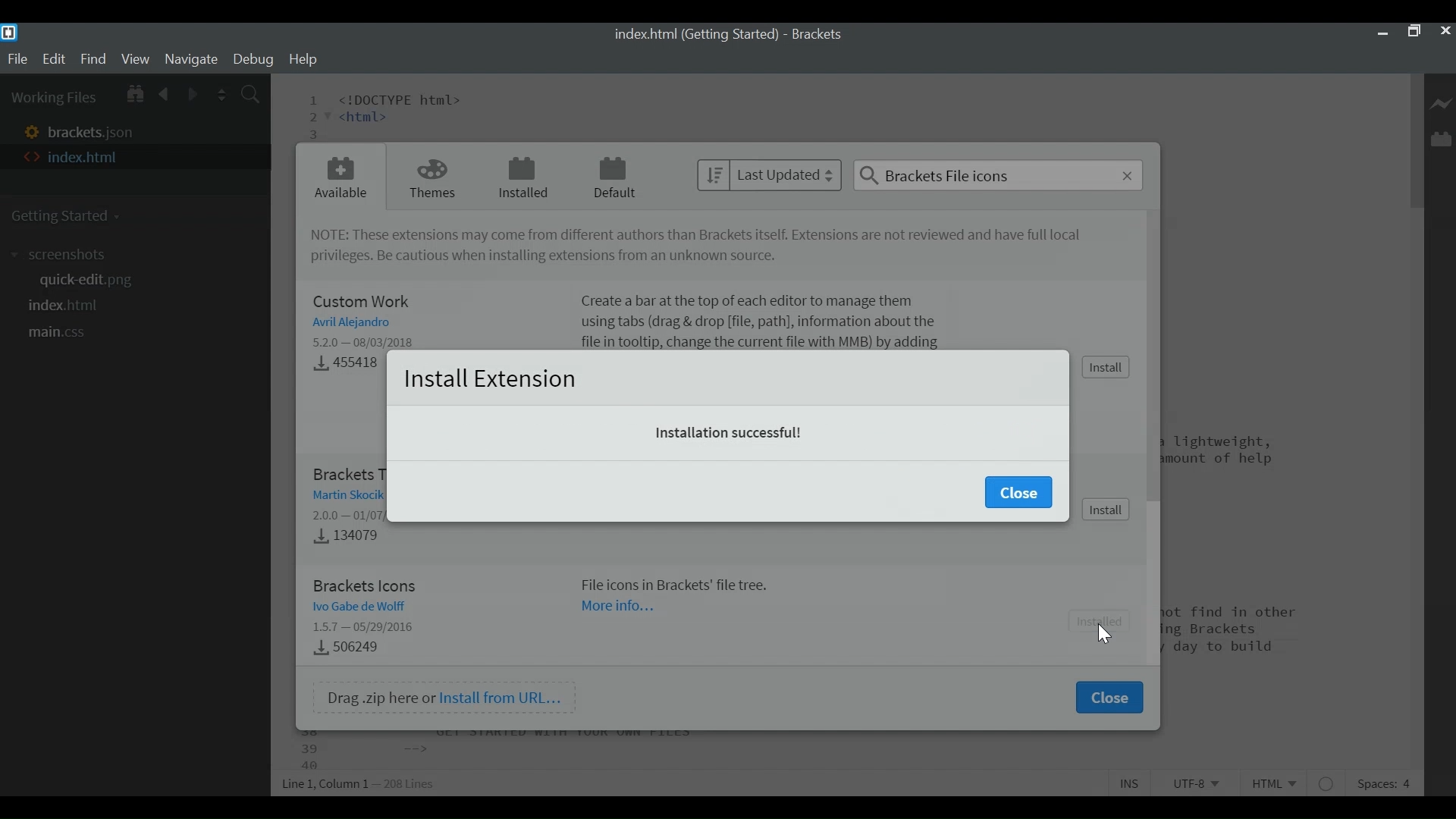  I want to click on Getting Started, so click(68, 215).